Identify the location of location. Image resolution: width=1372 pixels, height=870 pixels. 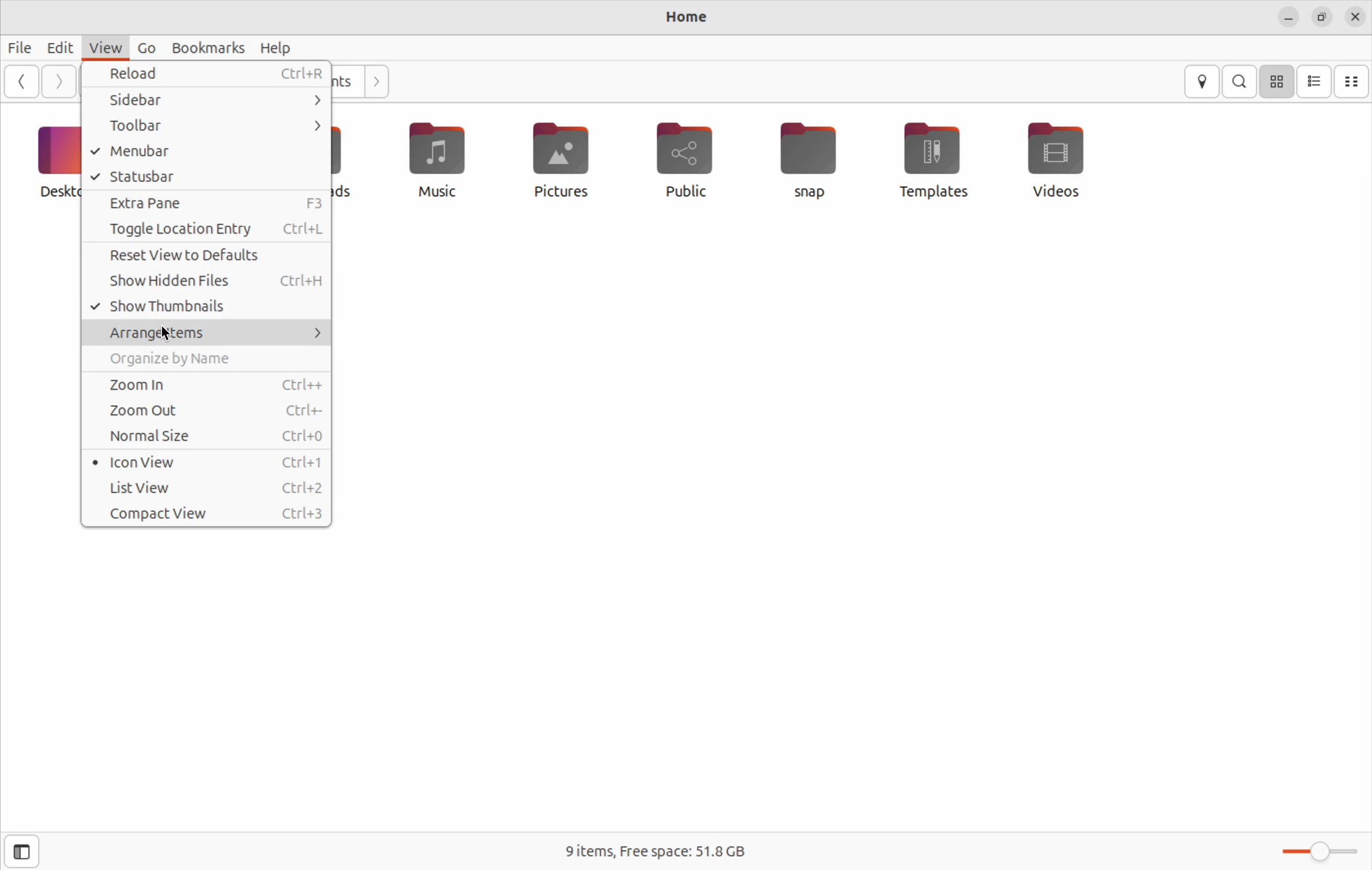
(1204, 83).